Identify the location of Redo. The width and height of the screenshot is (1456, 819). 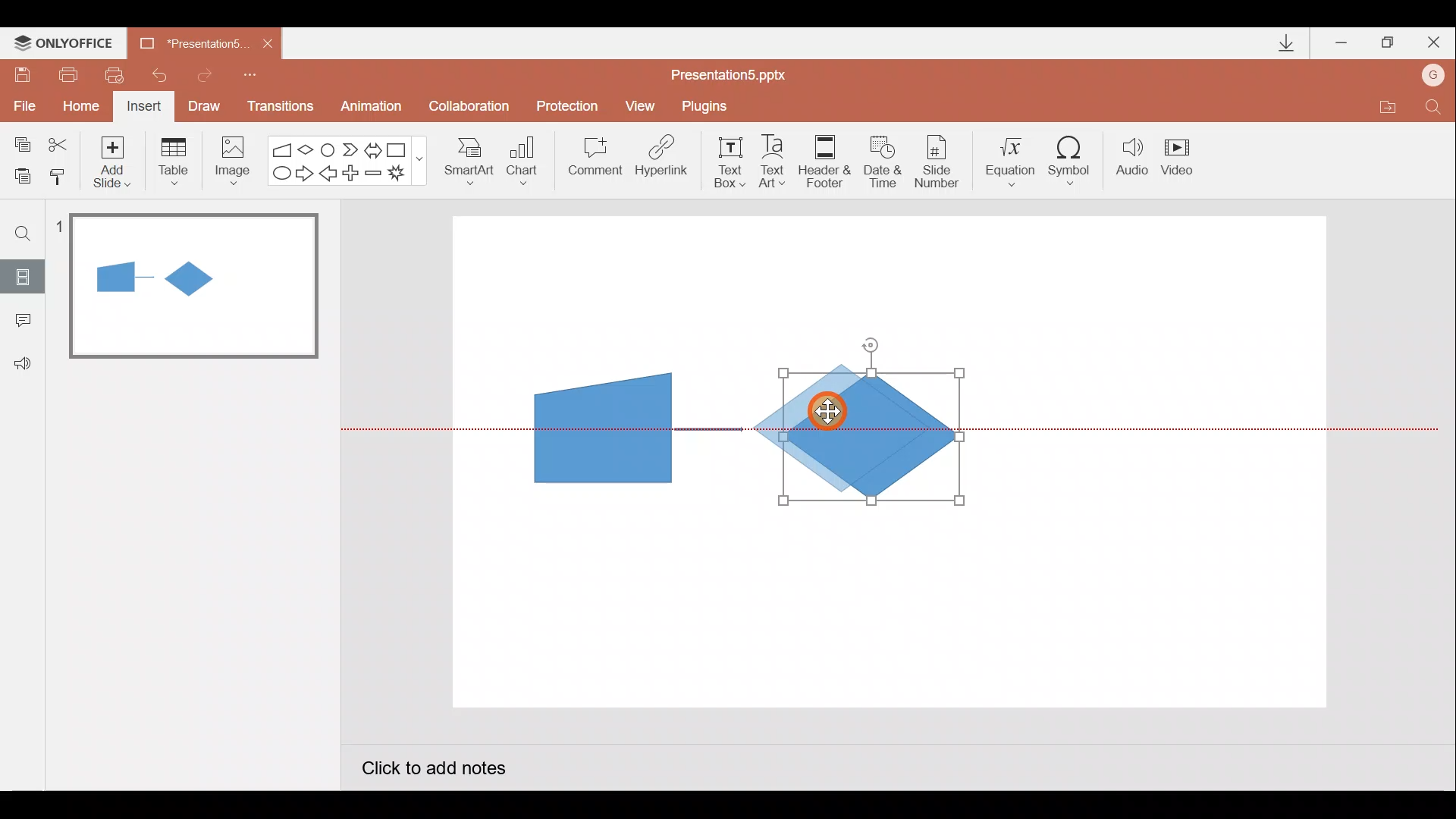
(206, 73).